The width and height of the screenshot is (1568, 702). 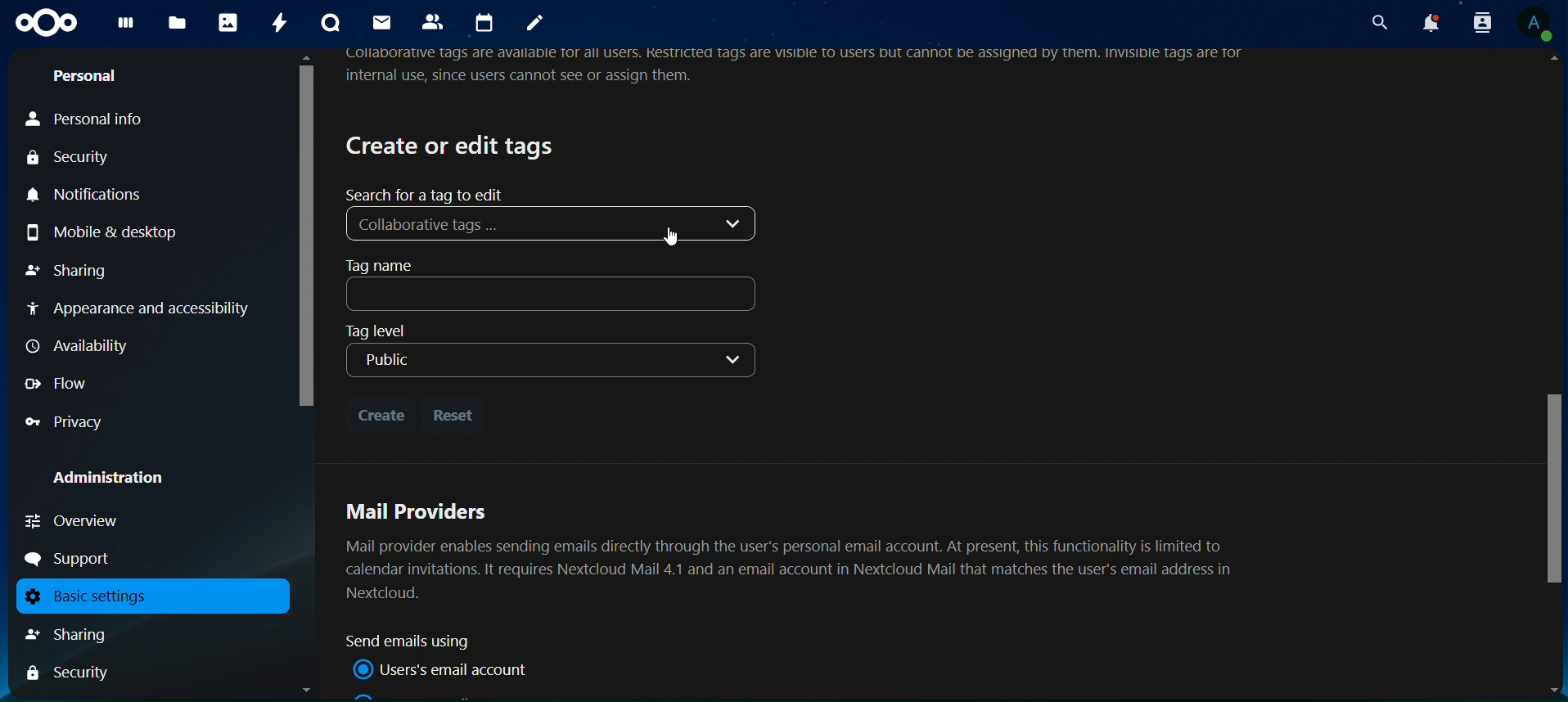 What do you see at coordinates (487, 23) in the screenshot?
I see `calendar` at bounding box center [487, 23].